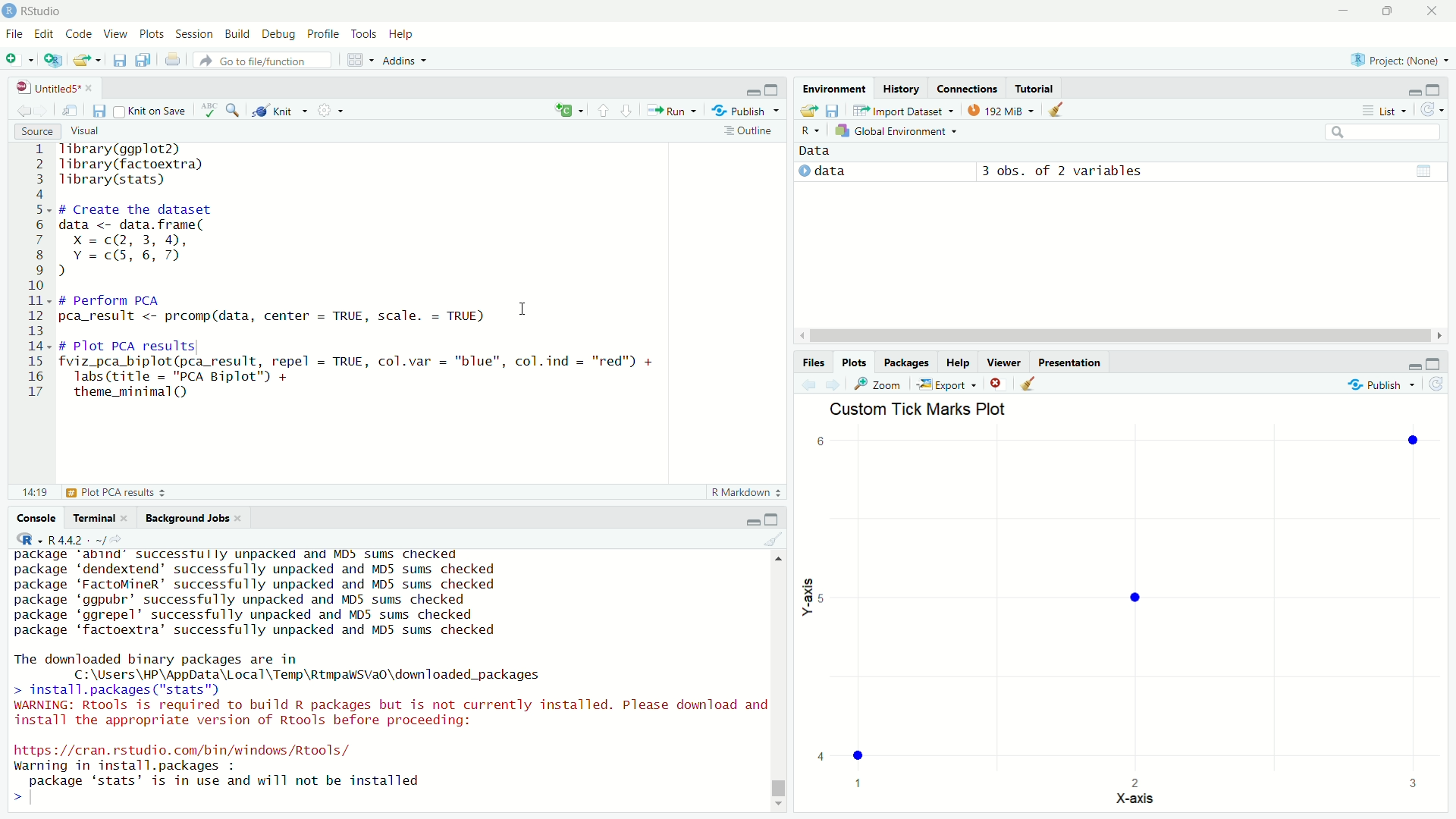  Describe the element at coordinates (1413, 90) in the screenshot. I see `minimize` at that location.